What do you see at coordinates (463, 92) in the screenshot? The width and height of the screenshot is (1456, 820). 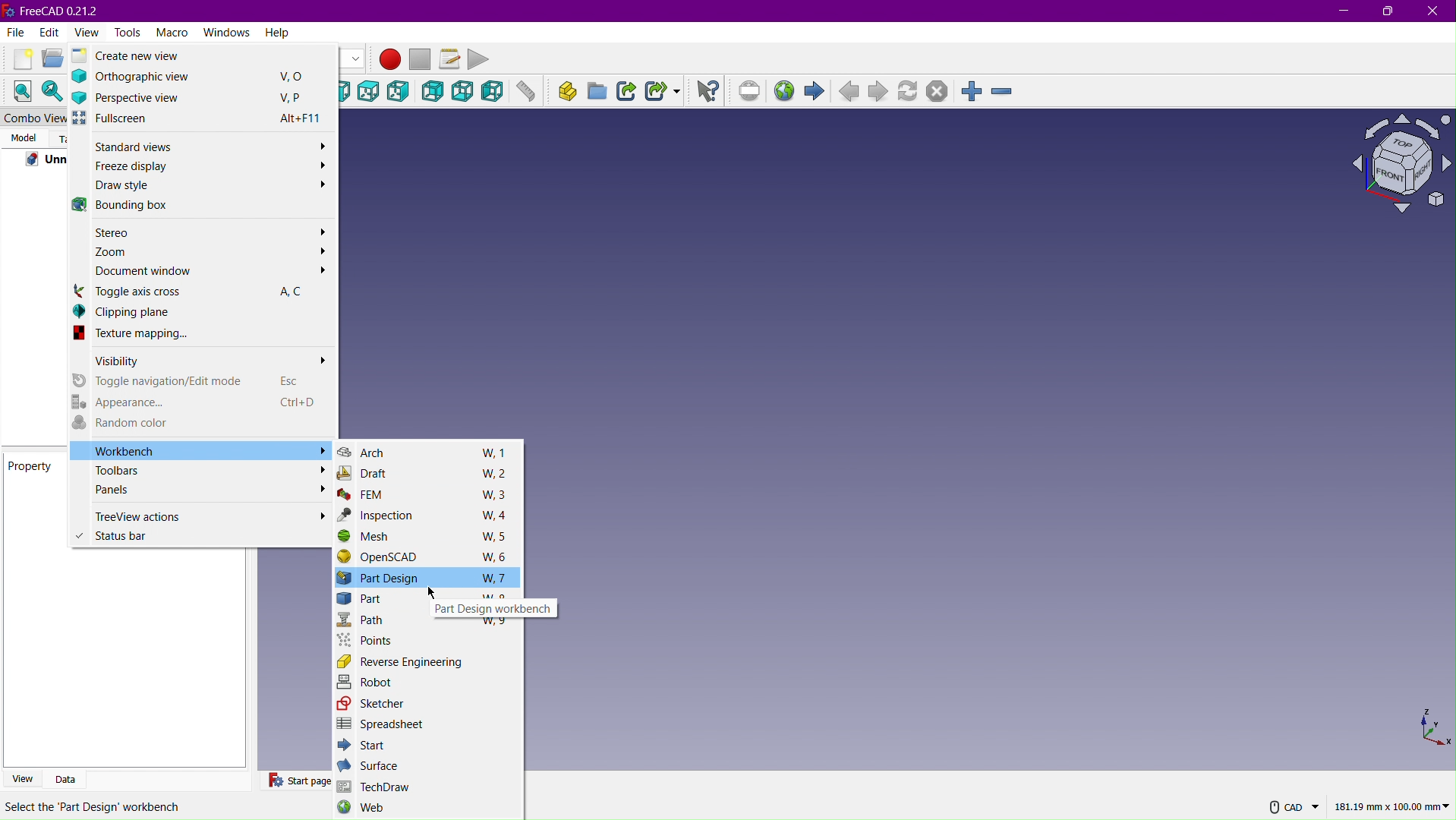 I see `Bottom` at bounding box center [463, 92].